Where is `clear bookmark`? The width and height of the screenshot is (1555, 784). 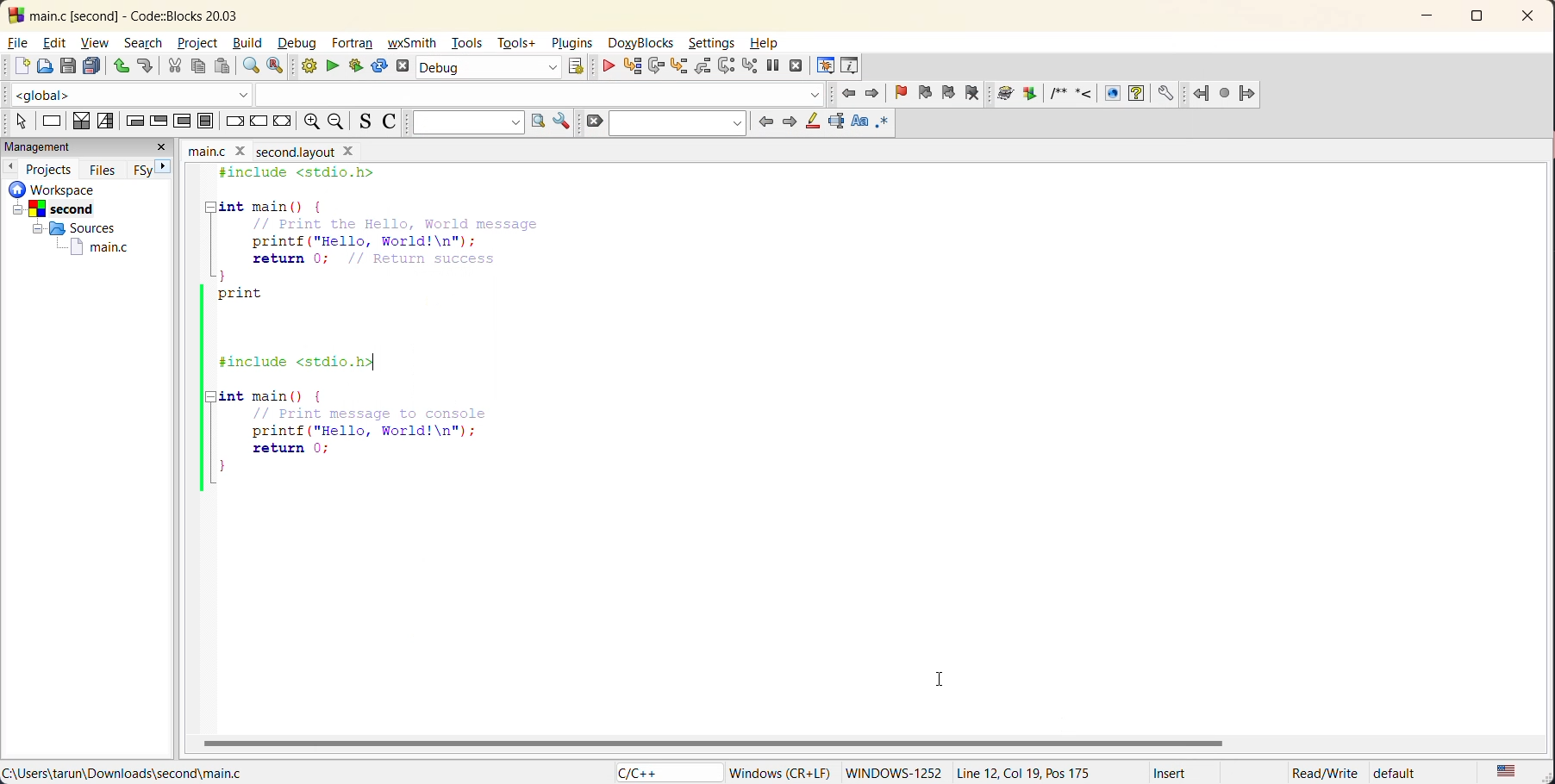
clear bookmark is located at coordinates (974, 93).